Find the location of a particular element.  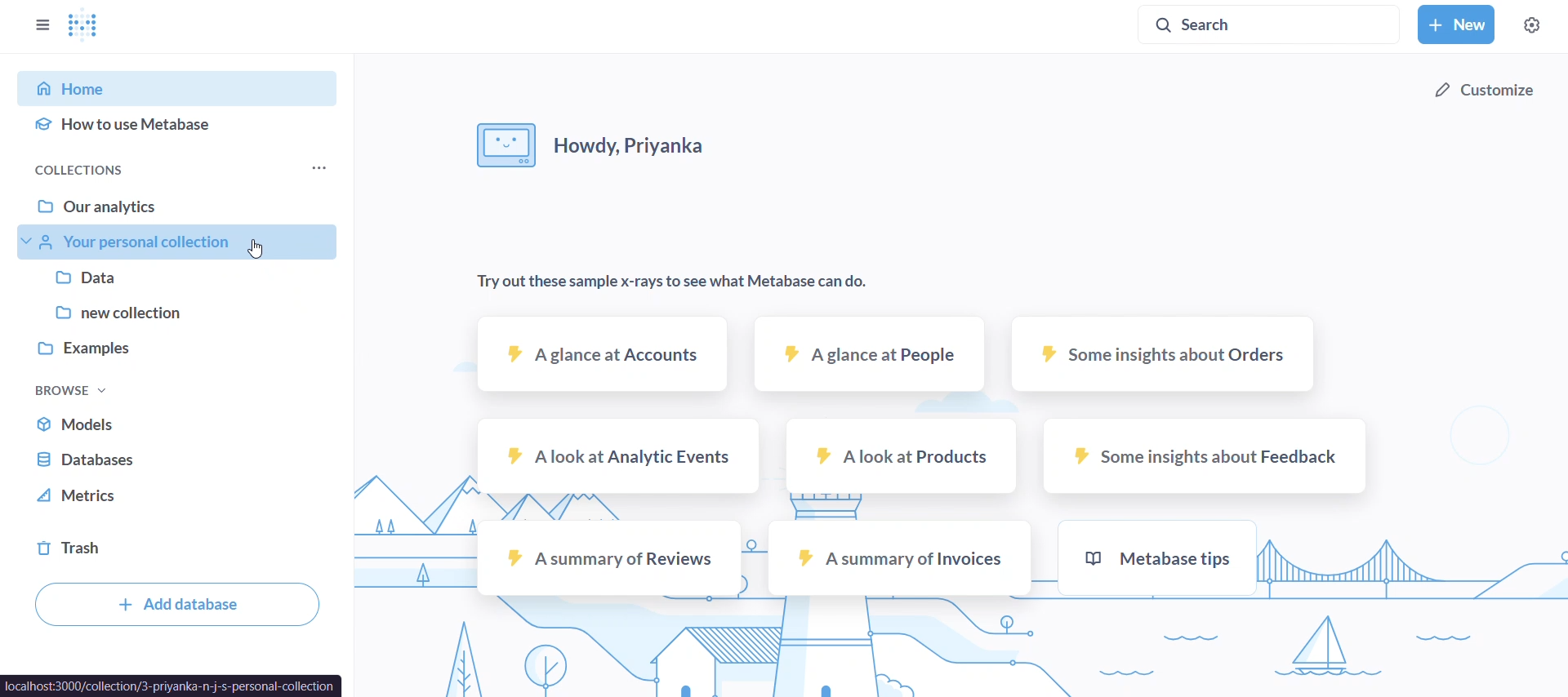

close sidebars is located at coordinates (41, 26).